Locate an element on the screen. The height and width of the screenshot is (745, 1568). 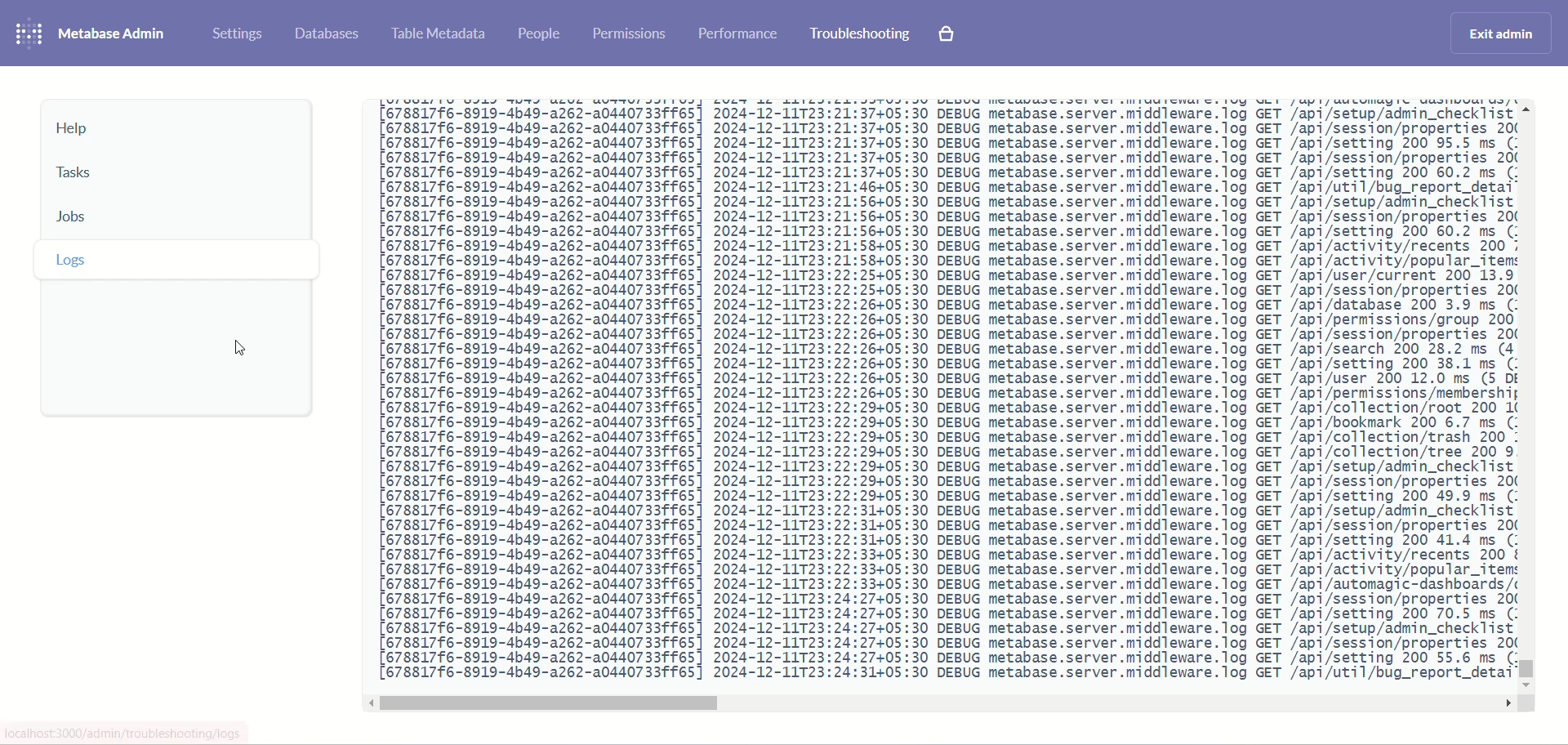
settings is located at coordinates (237, 33).